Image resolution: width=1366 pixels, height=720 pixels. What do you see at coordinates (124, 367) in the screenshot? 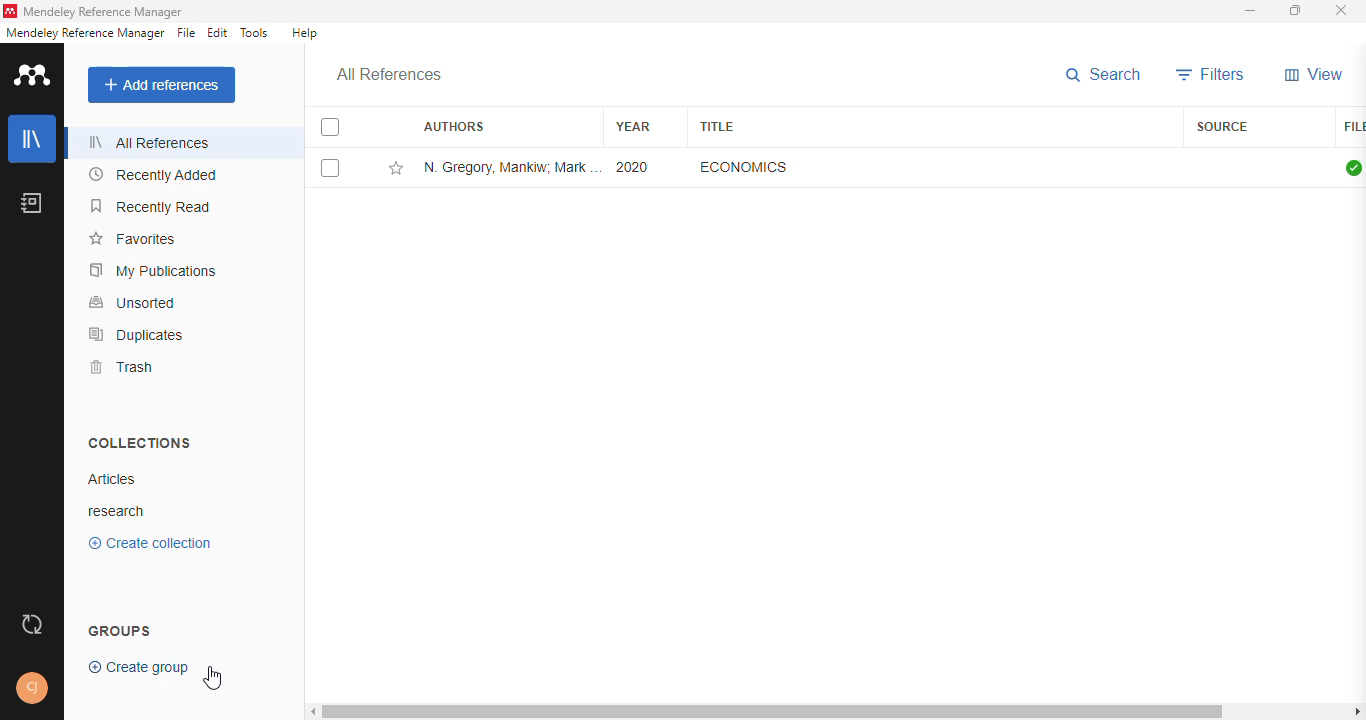
I see `trash` at bounding box center [124, 367].